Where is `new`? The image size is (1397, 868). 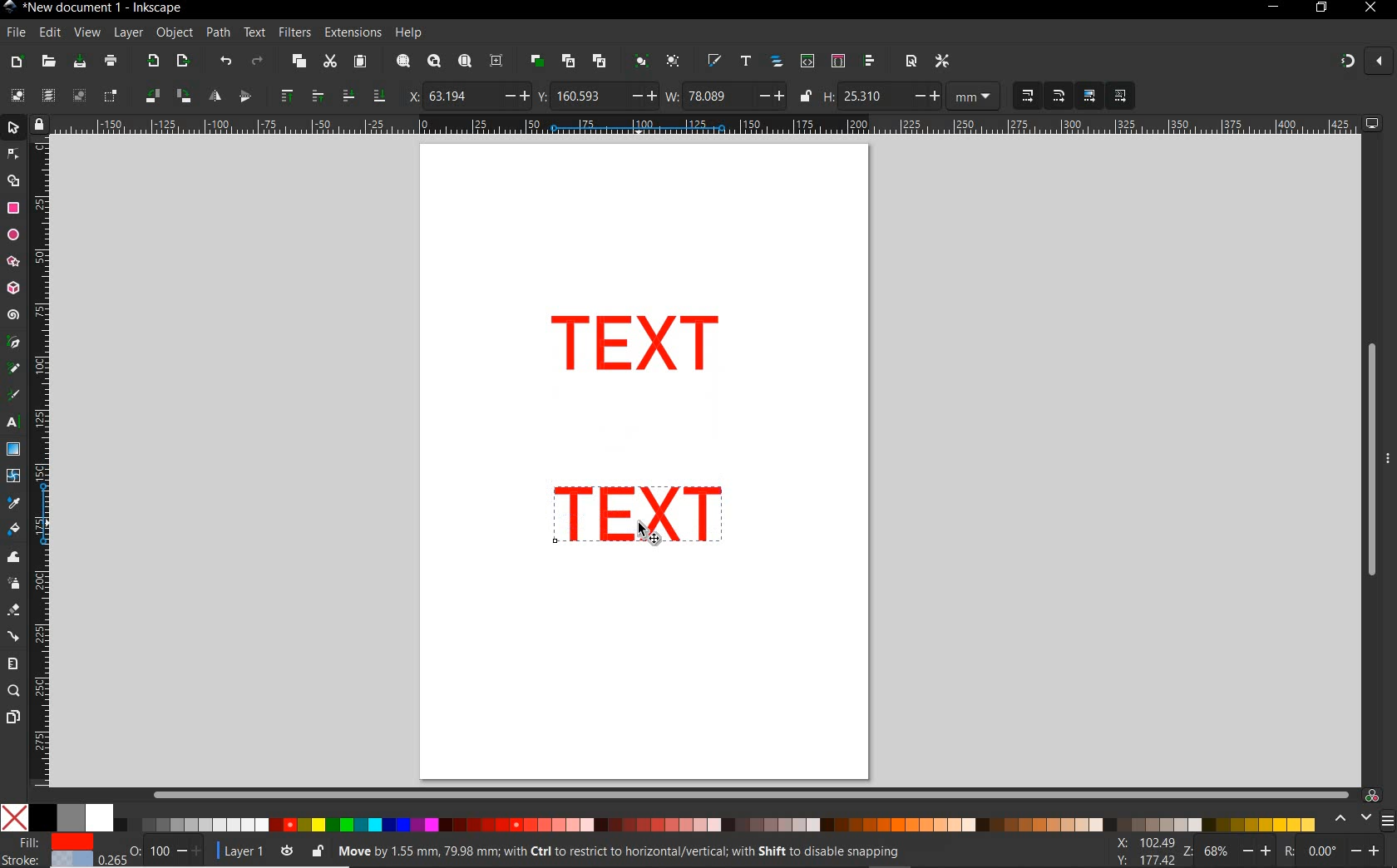
new is located at coordinates (17, 61).